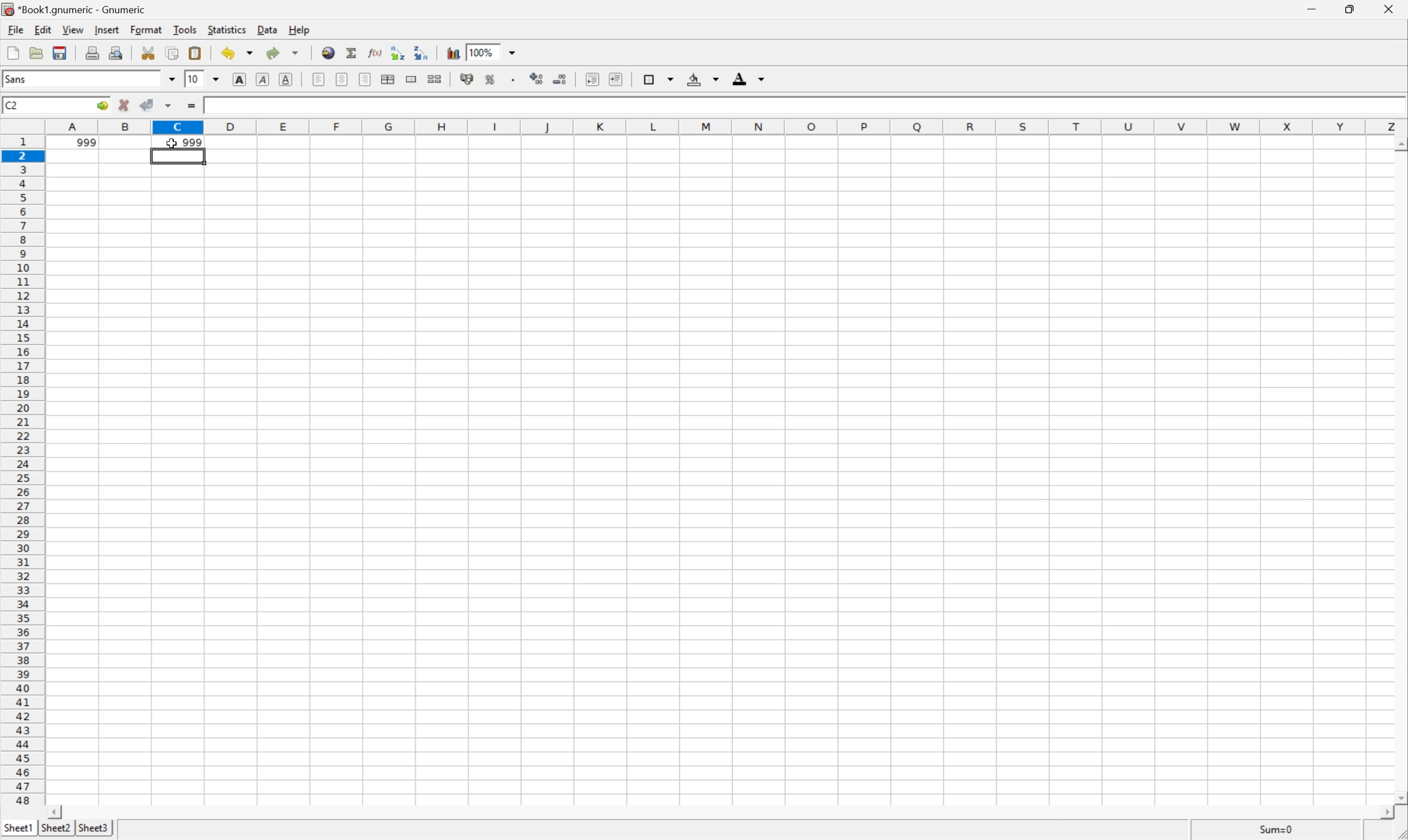 Image resolution: width=1408 pixels, height=840 pixels. I want to click on increase indent, so click(615, 79).